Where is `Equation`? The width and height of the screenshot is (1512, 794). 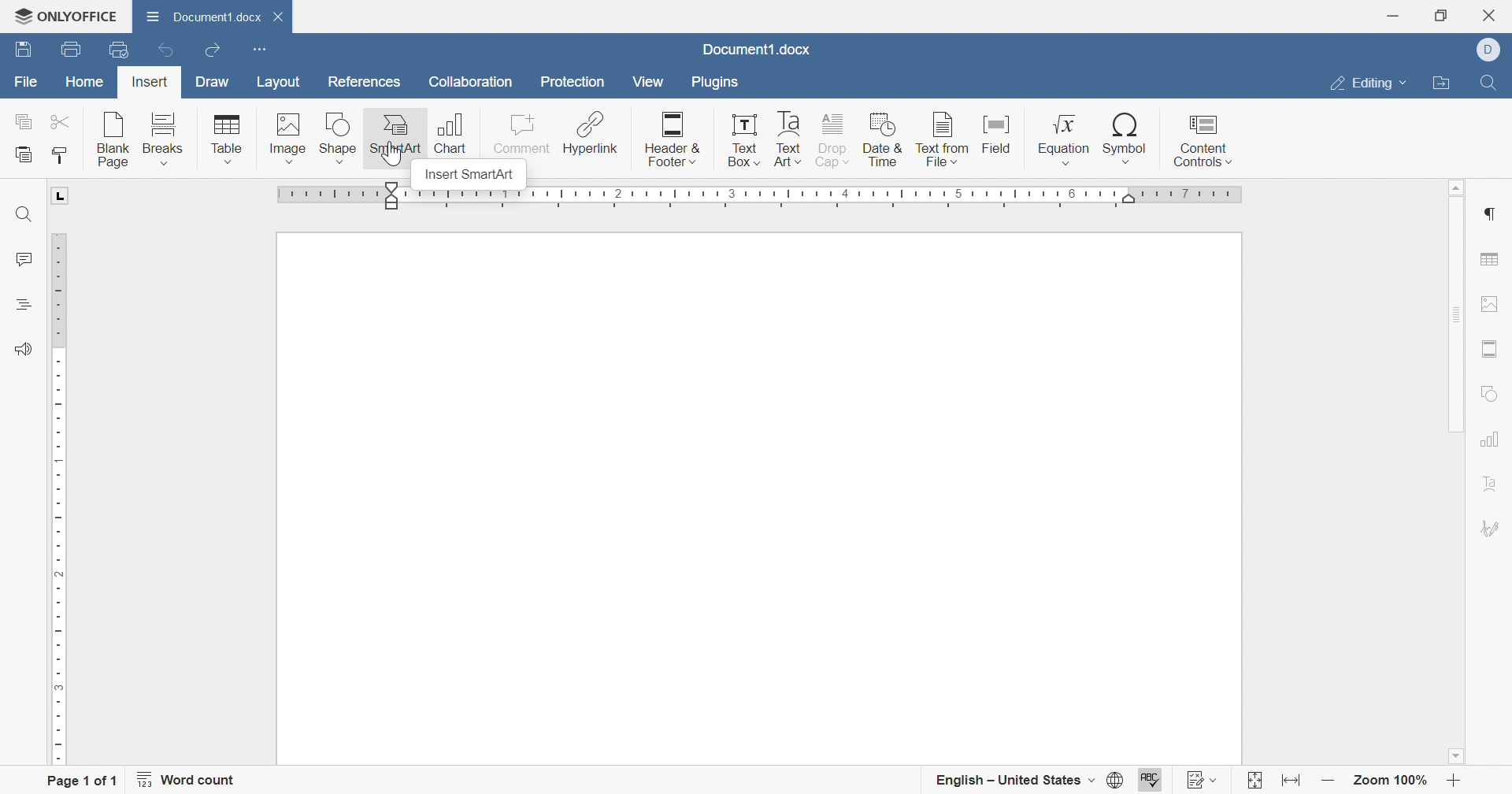
Equation is located at coordinates (1064, 139).